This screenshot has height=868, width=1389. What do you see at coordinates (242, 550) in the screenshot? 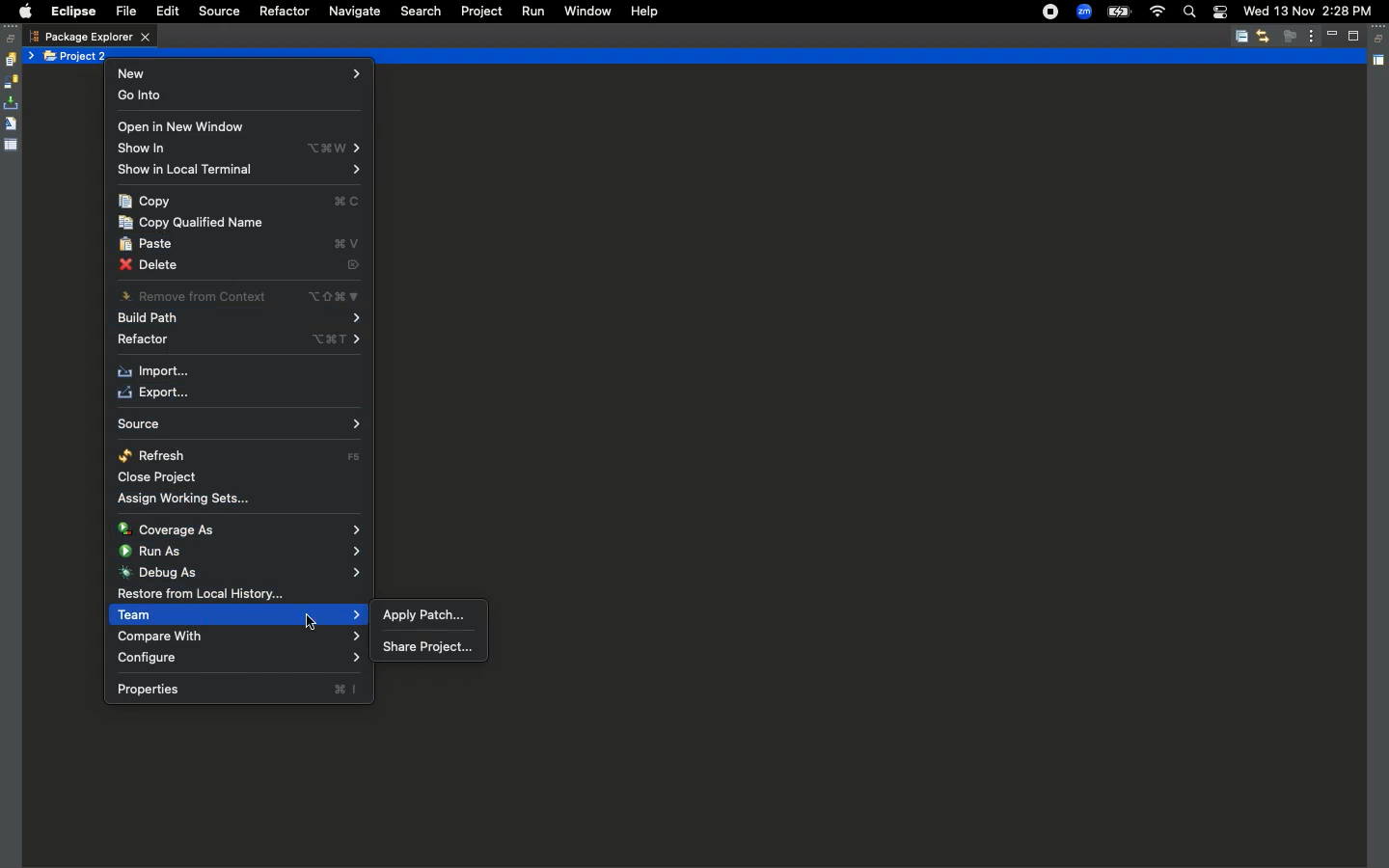
I see `Run as` at bounding box center [242, 550].